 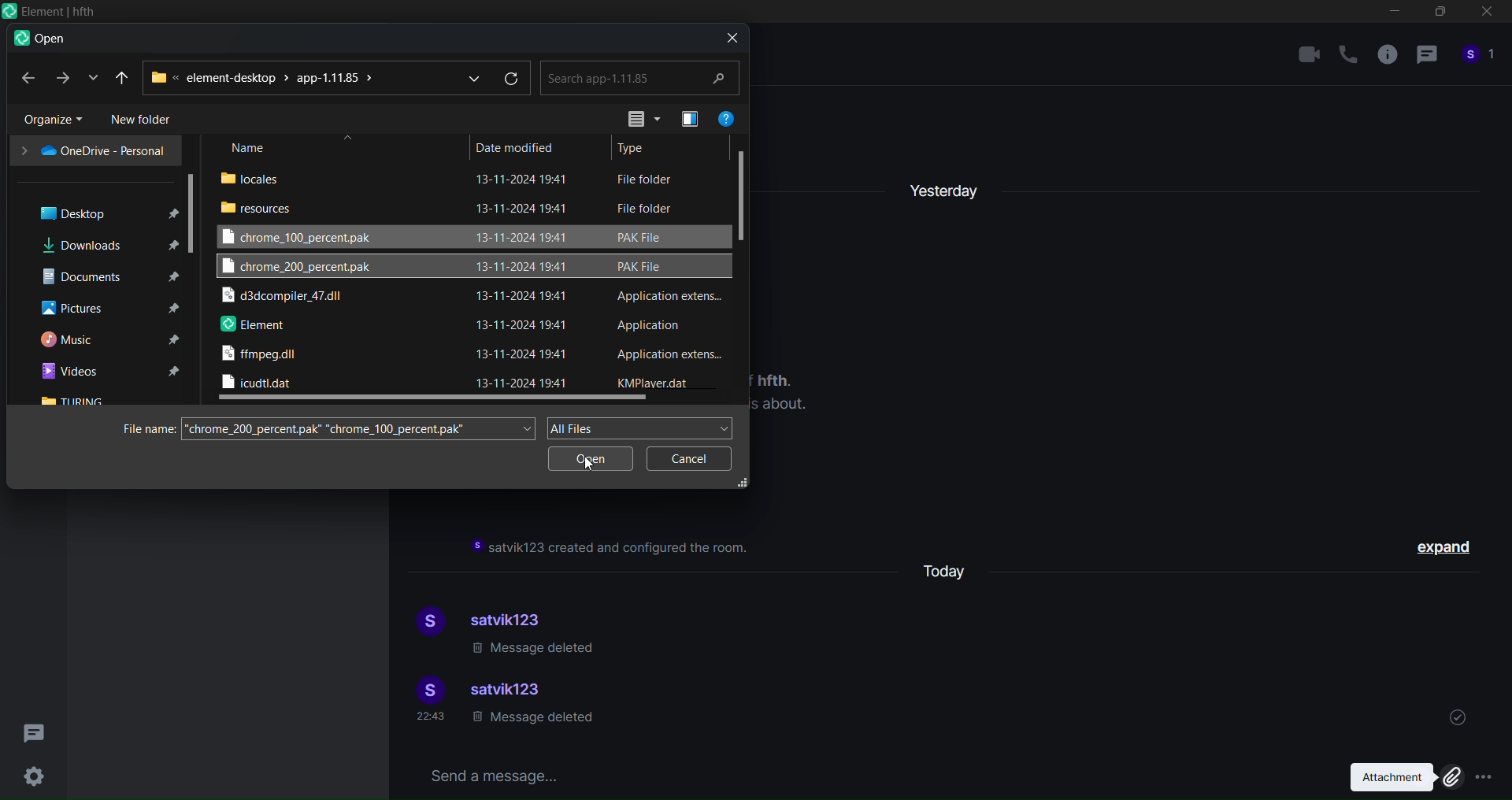 What do you see at coordinates (946, 186) in the screenshot?
I see `yesterday` at bounding box center [946, 186].